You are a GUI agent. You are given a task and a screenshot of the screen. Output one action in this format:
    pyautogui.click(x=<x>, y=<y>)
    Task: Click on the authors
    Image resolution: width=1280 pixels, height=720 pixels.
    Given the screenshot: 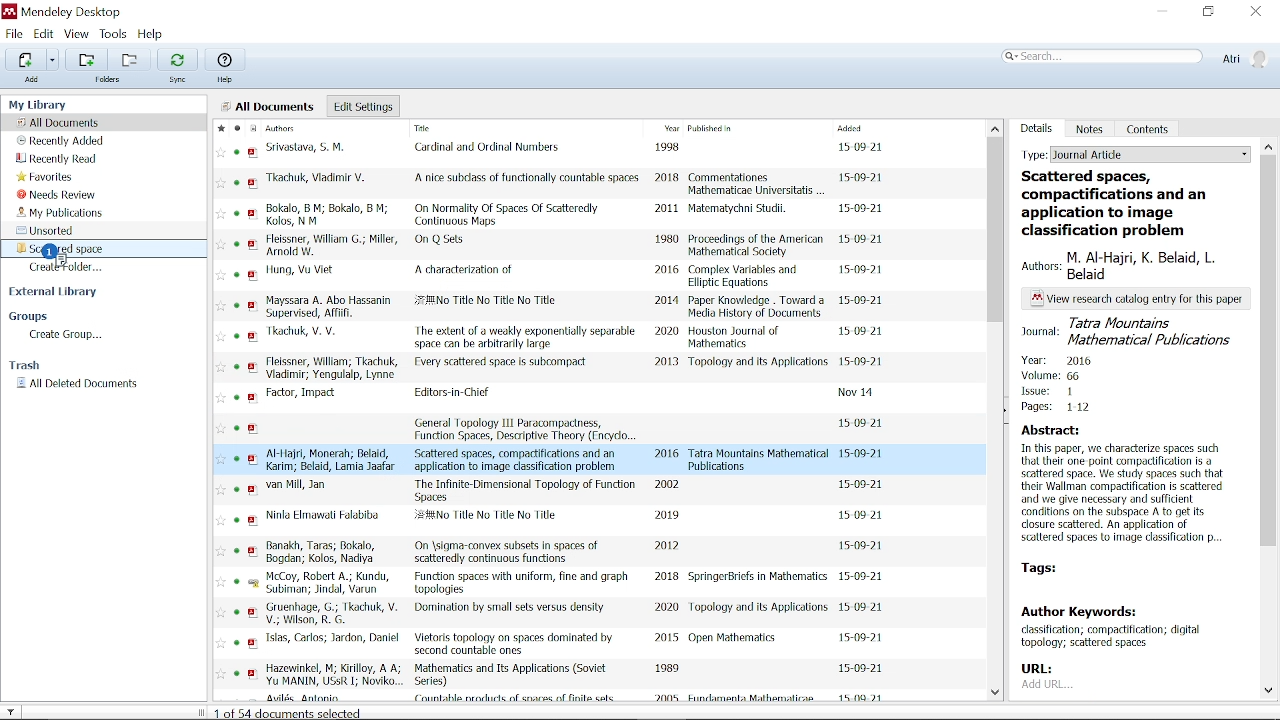 What is the action you would take?
    pyautogui.click(x=309, y=148)
    